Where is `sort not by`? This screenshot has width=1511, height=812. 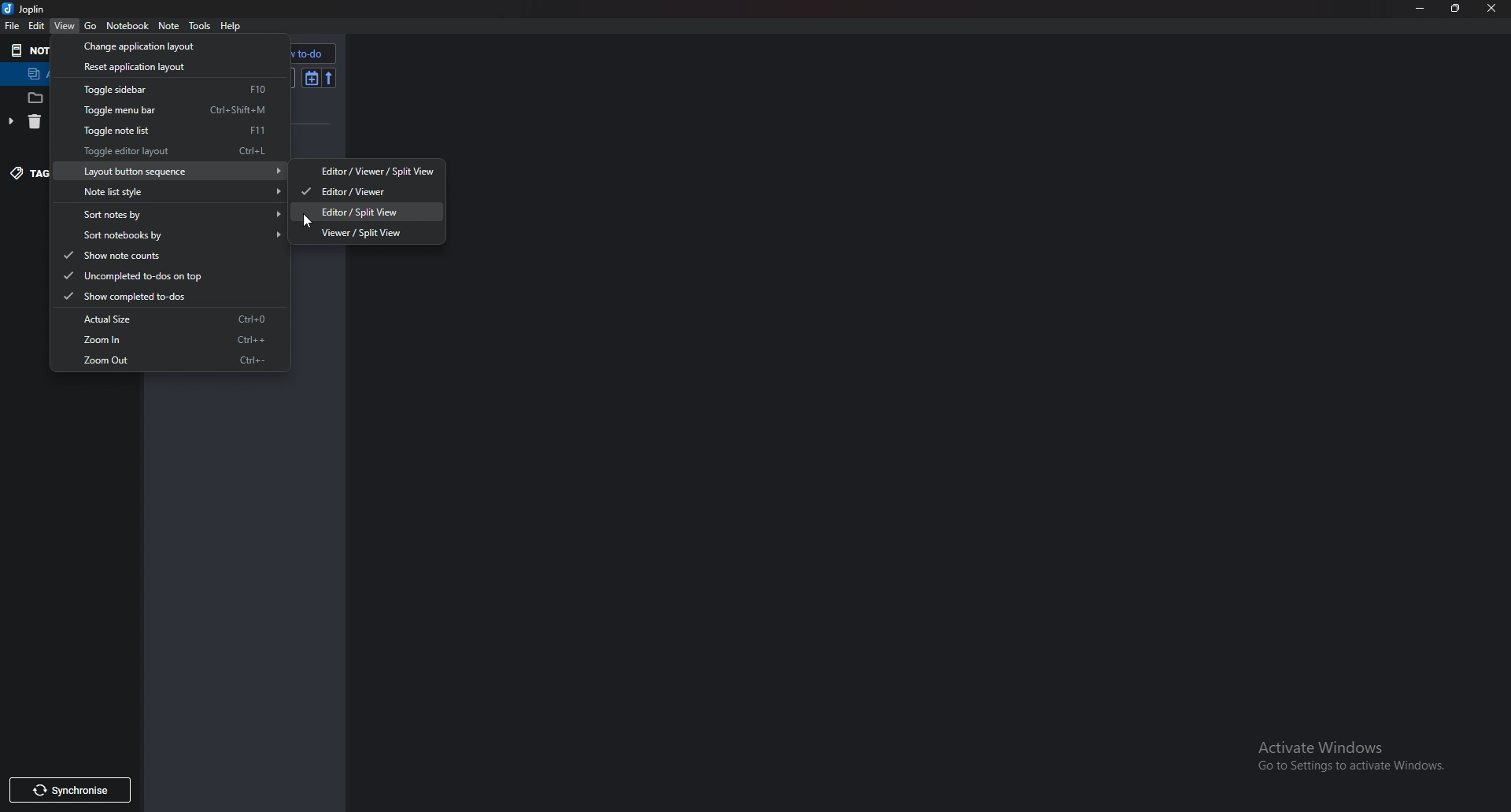
sort not by is located at coordinates (175, 213).